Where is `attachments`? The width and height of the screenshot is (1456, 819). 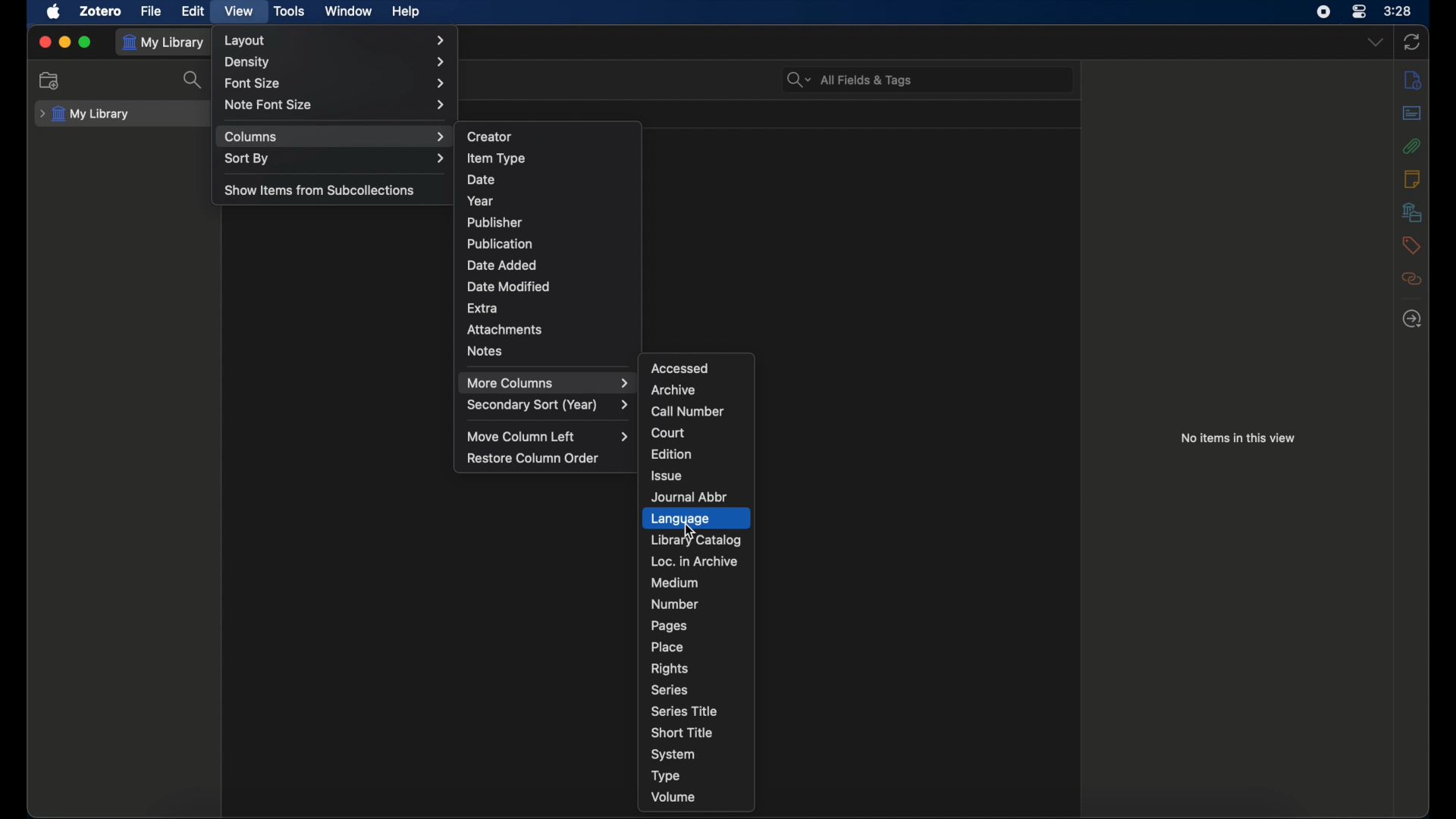
attachments is located at coordinates (505, 328).